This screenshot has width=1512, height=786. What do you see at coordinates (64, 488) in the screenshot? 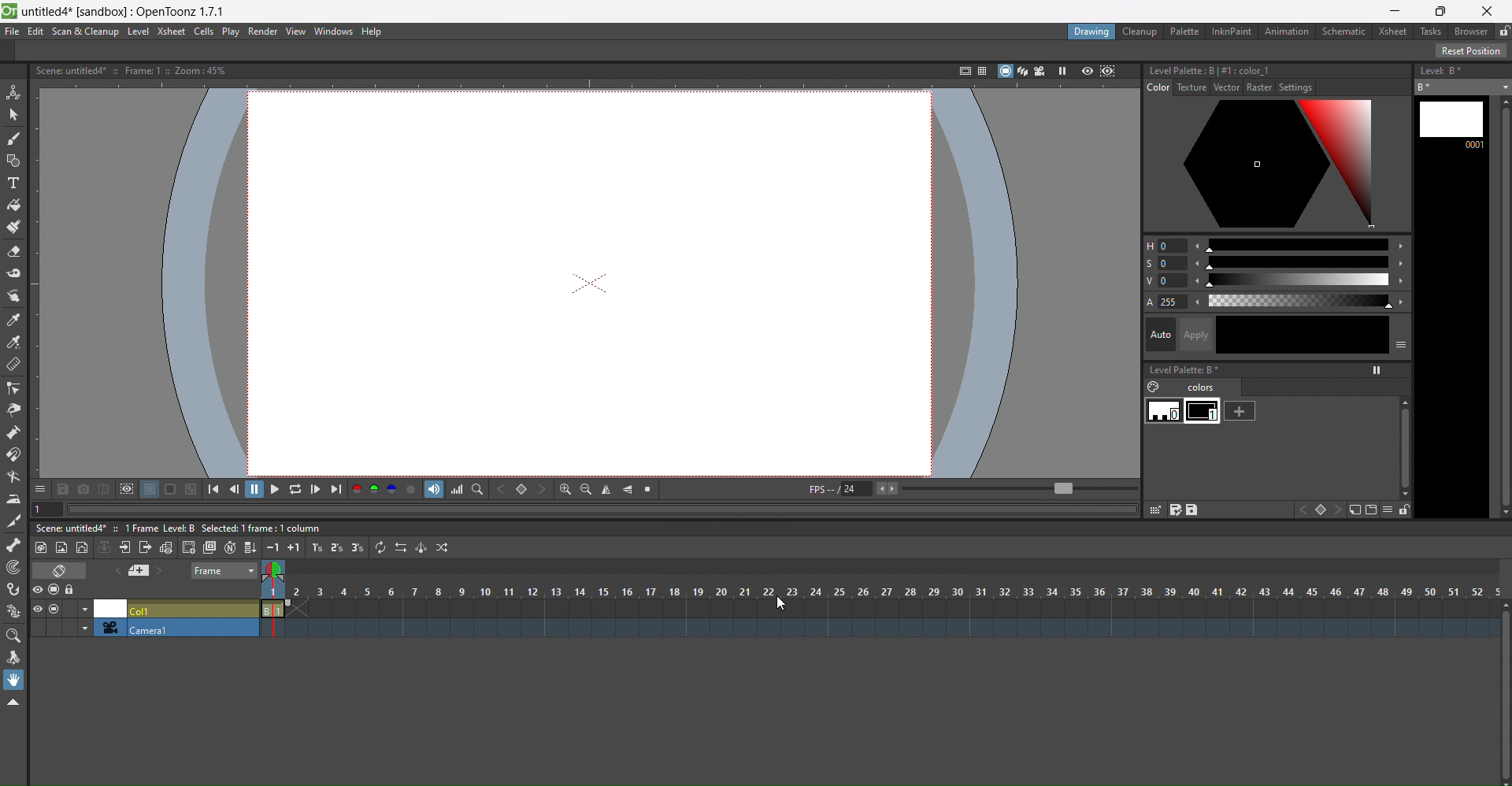
I see `tool` at bounding box center [64, 488].